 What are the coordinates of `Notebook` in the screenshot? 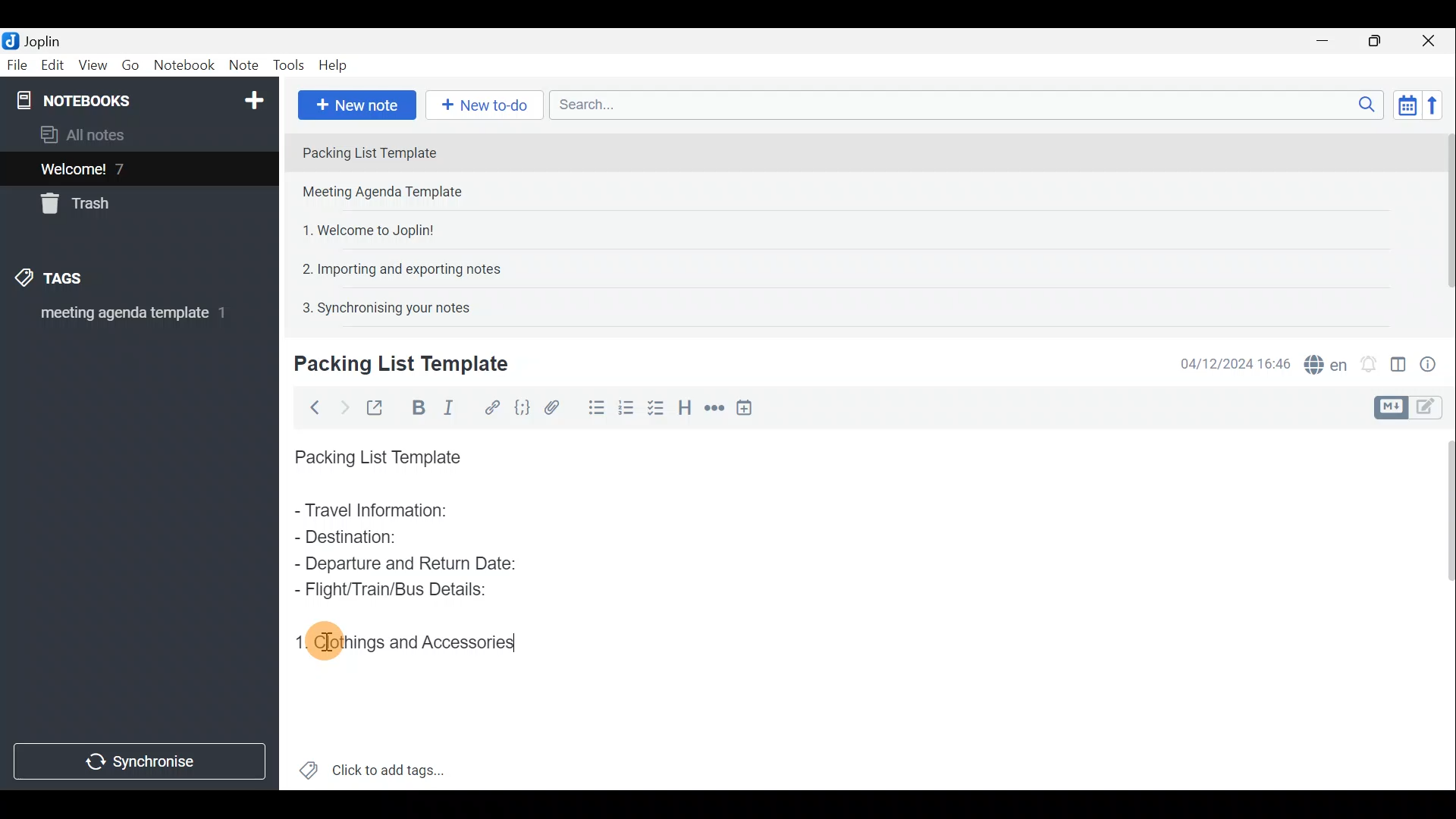 It's located at (184, 67).